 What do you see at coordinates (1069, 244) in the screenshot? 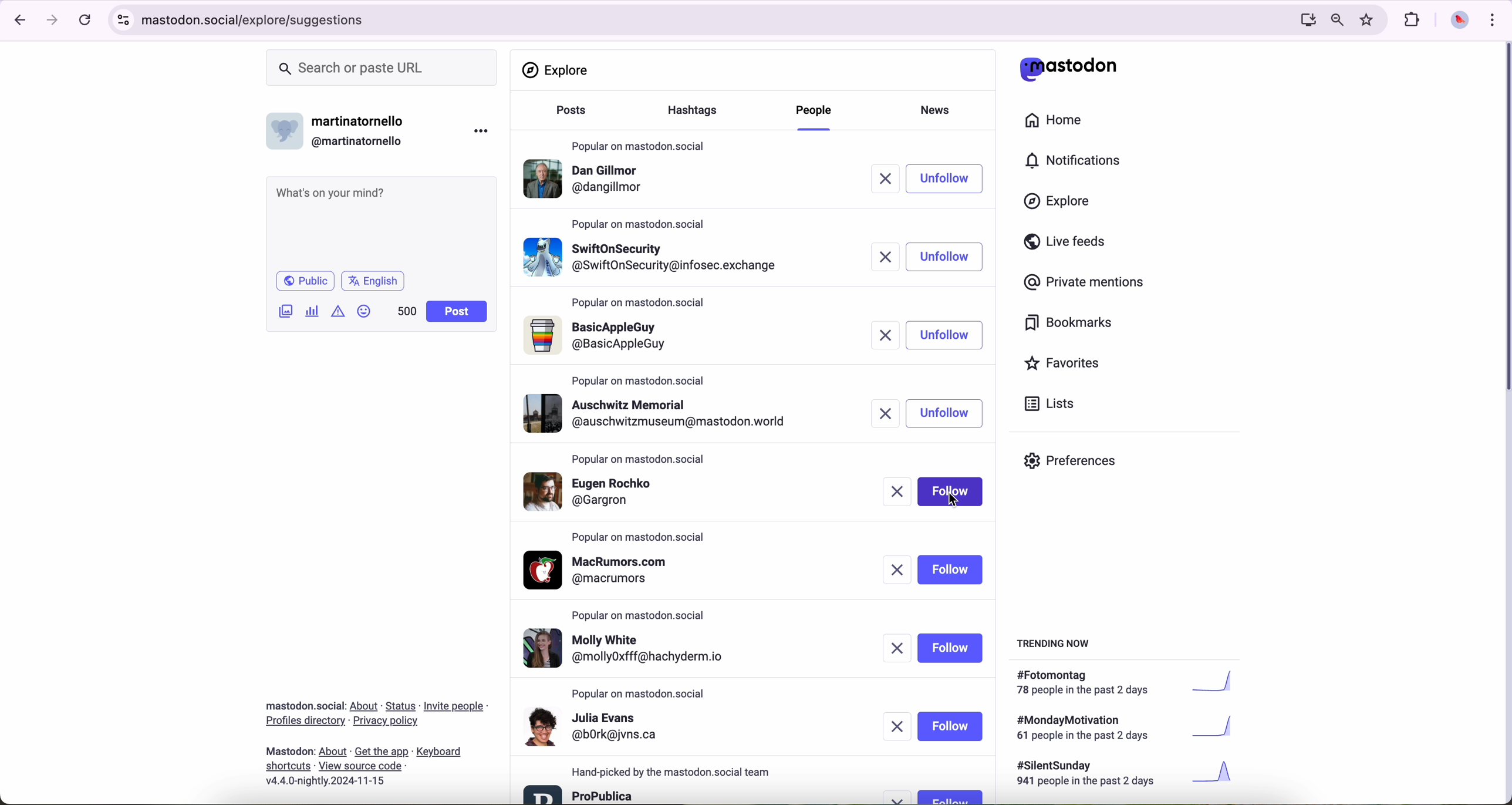
I see `live feeds` at bounding box center [1069, 244].